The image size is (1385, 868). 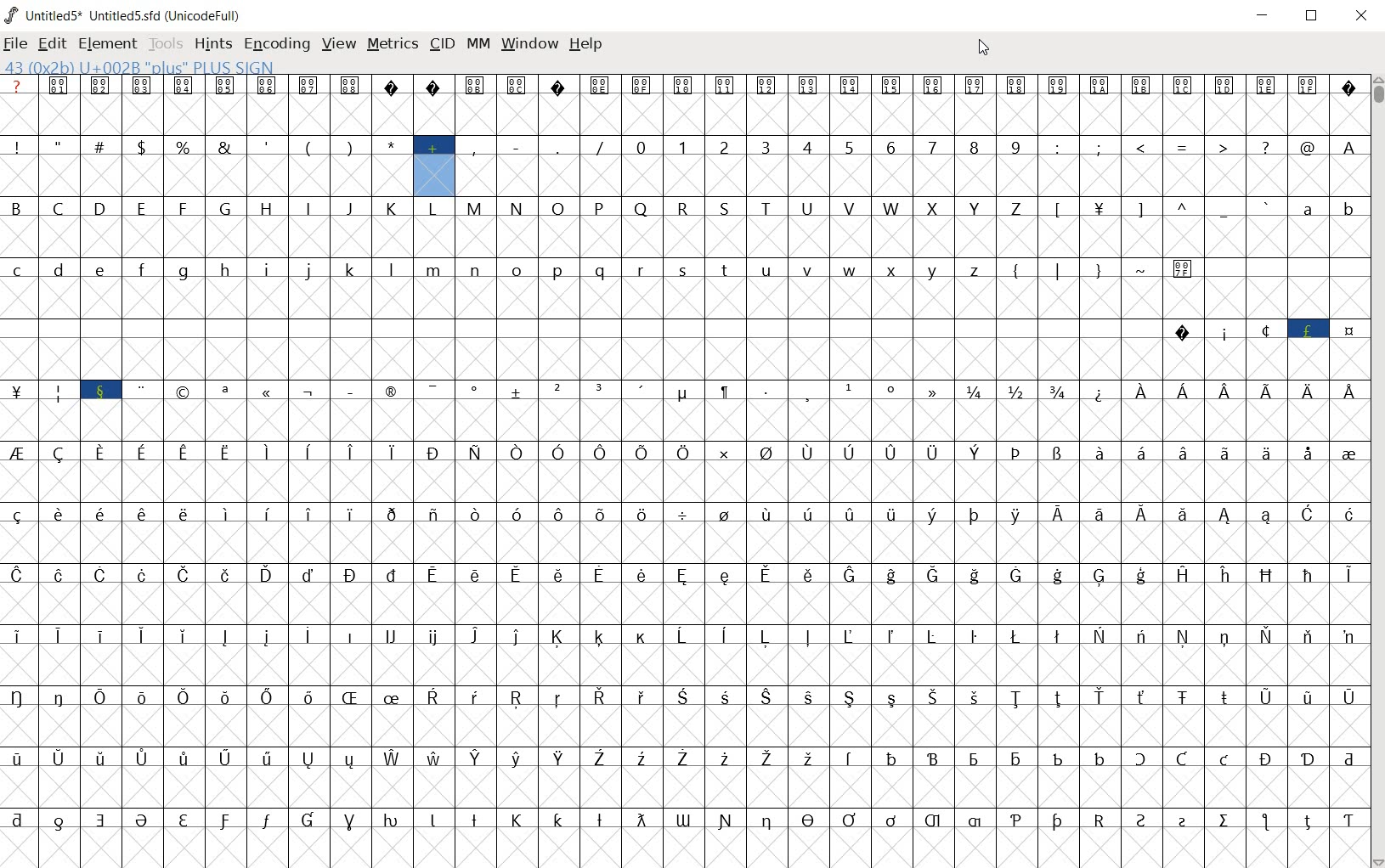 I want to click on tools, so click(x=164, y=42).